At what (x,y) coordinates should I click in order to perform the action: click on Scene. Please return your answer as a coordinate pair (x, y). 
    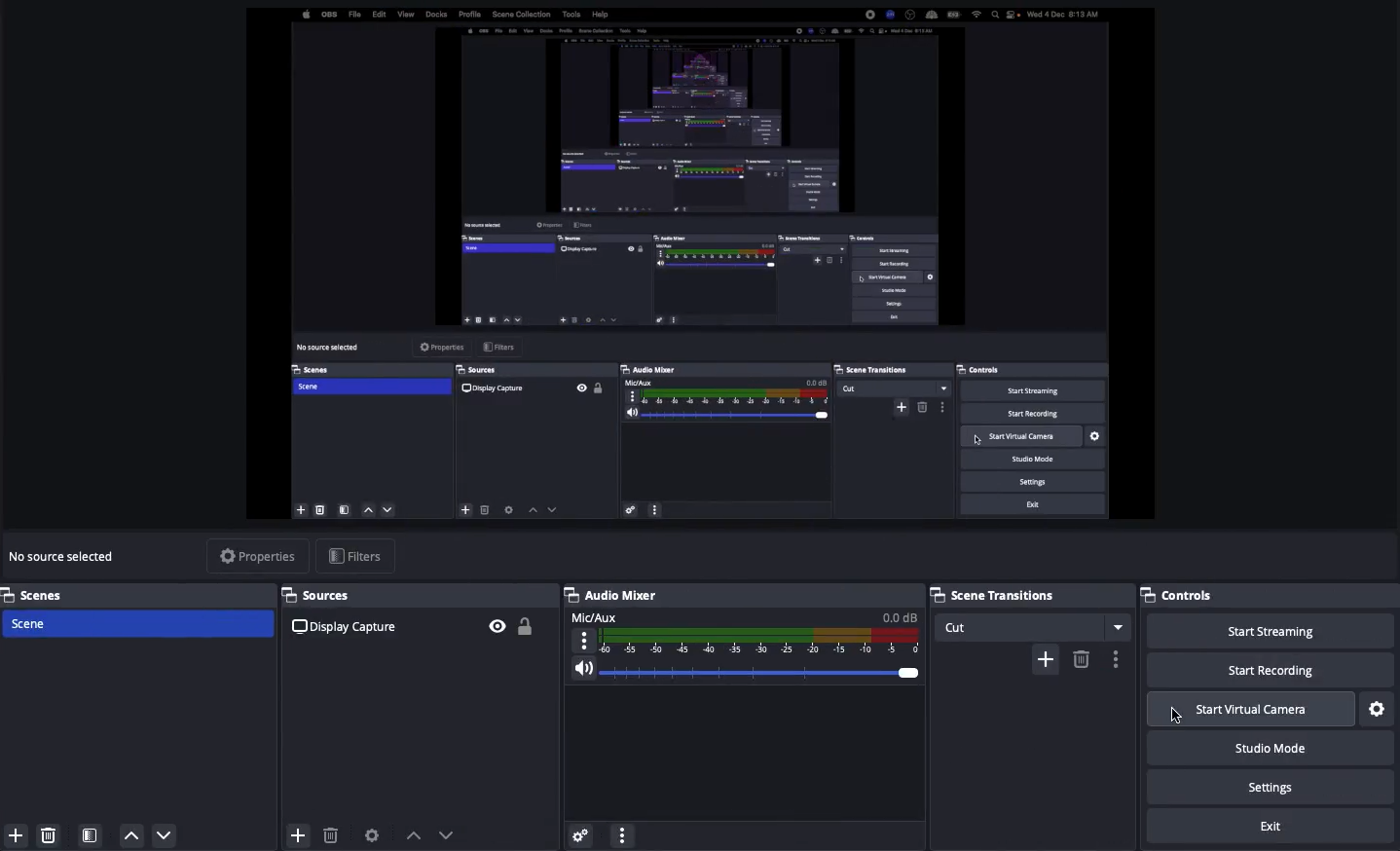
    Looking at the image, I should click on (29, 621).